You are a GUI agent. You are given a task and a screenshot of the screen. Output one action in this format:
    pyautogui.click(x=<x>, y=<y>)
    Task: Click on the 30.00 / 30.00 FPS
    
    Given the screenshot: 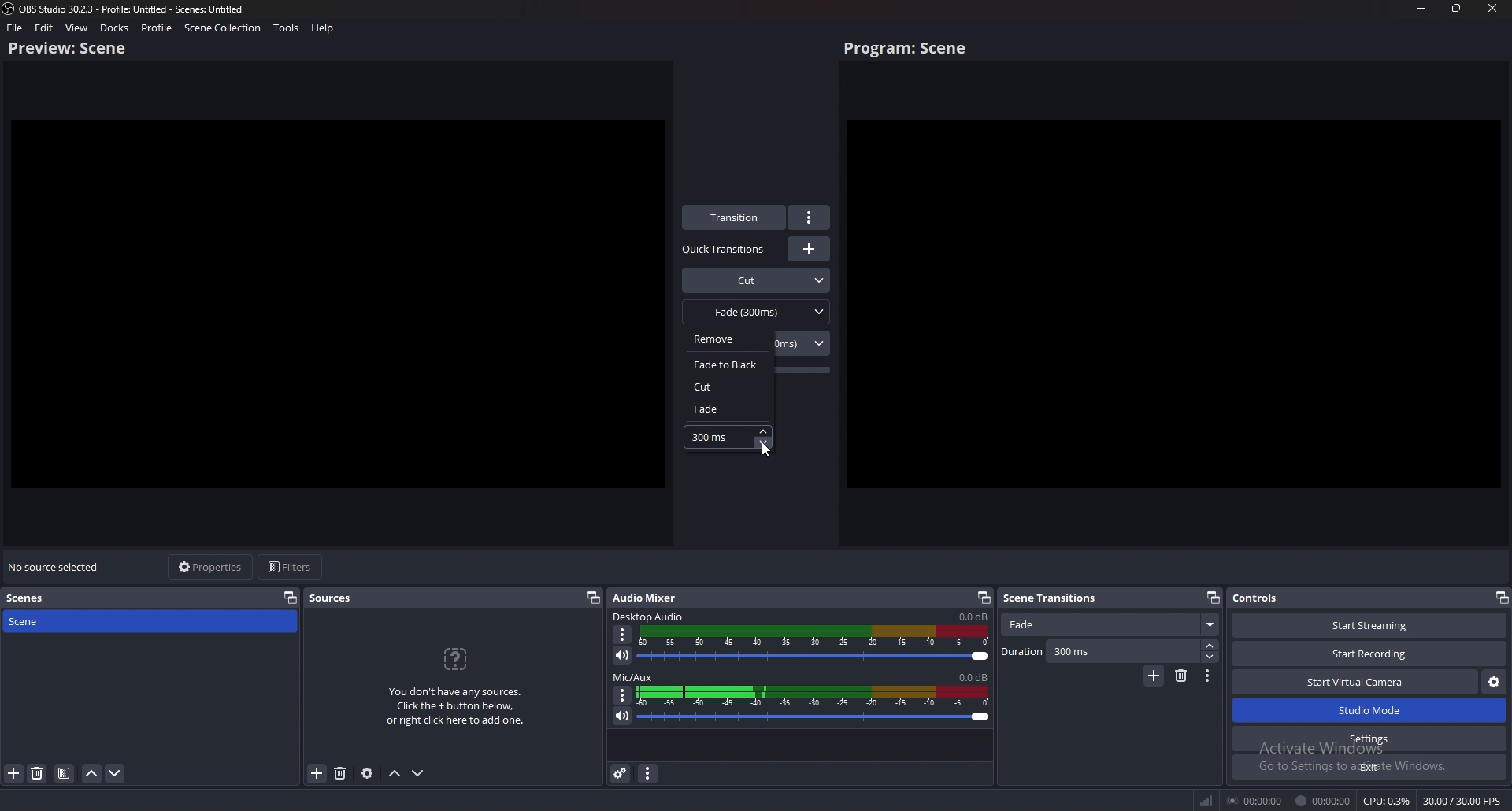 What is the action you would take?
    pyautogui.click(x=1462, y=800)
    